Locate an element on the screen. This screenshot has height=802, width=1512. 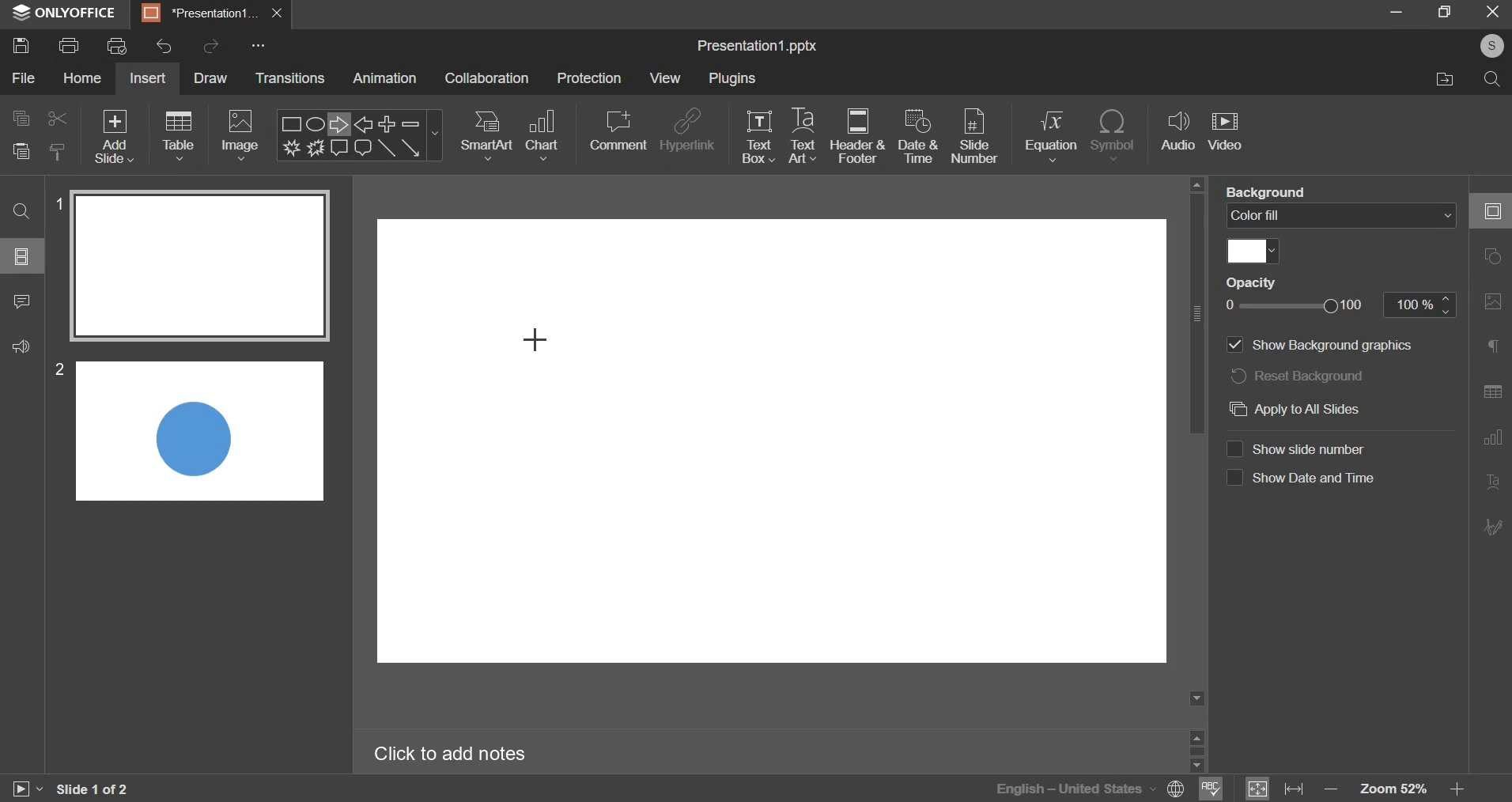
cut is located at coordinates (59, 118).